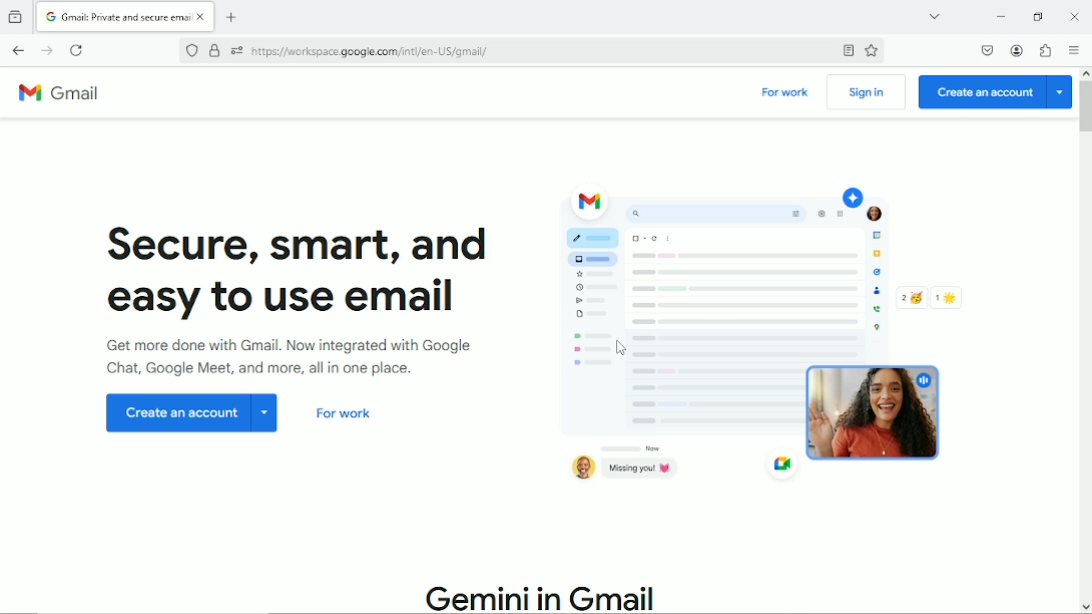 The height and width of the screenshot is (614, 1092). Describe the element at coordinates (997, 16) in the screenshot. I see `Minimize` at that location.